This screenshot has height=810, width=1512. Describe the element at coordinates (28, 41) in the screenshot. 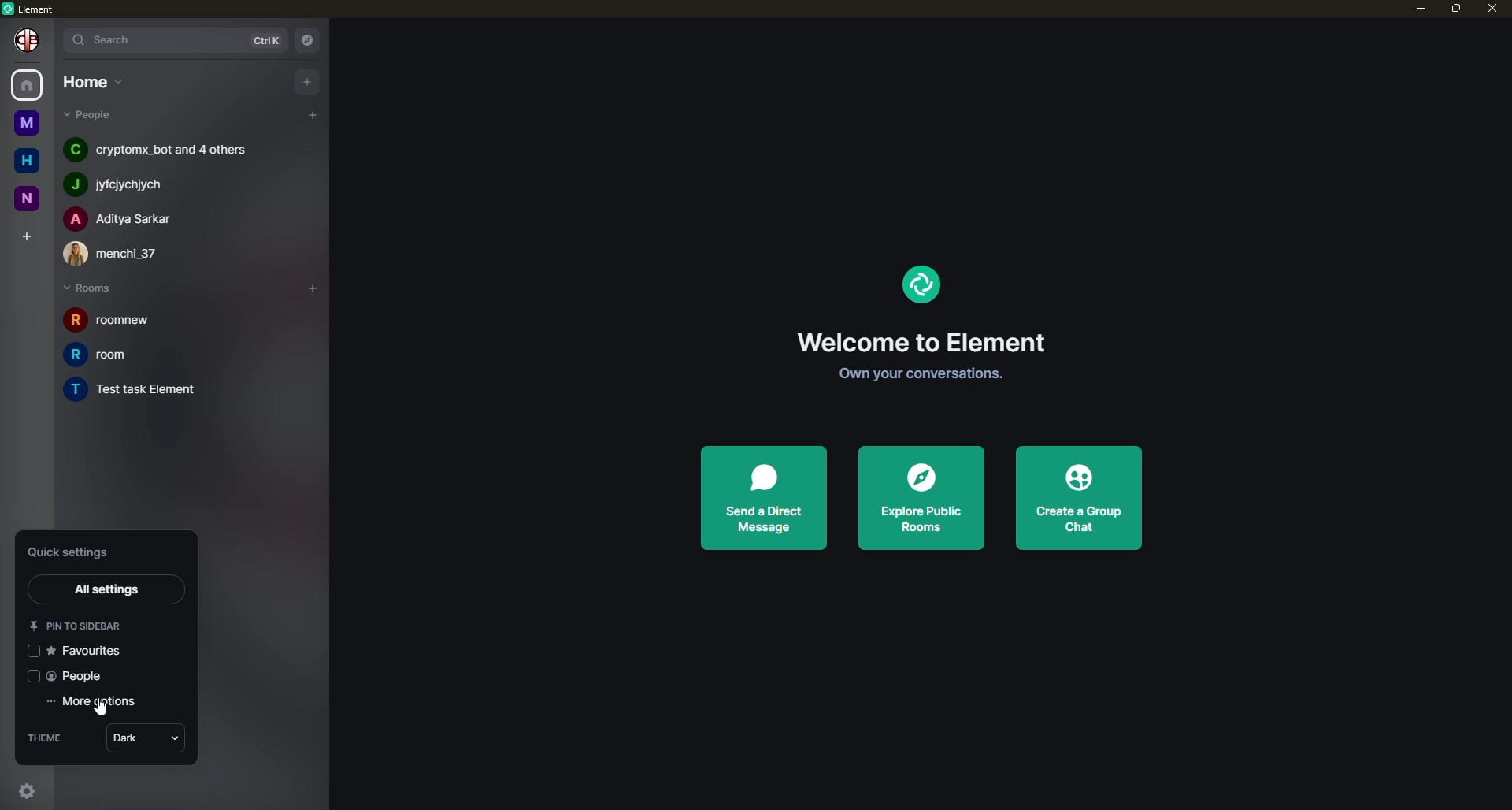

I see `` at that location.